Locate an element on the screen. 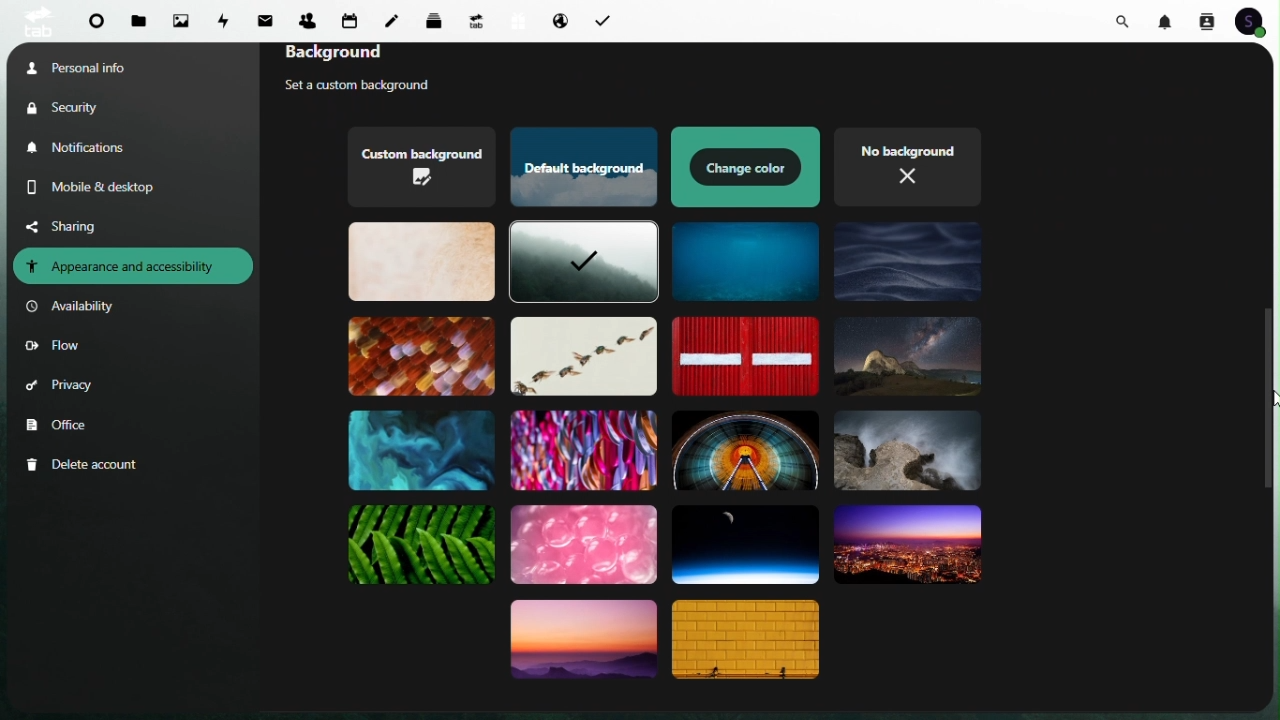 The image size is (1280, 720). Contacts is located at coordinates (307, 17).